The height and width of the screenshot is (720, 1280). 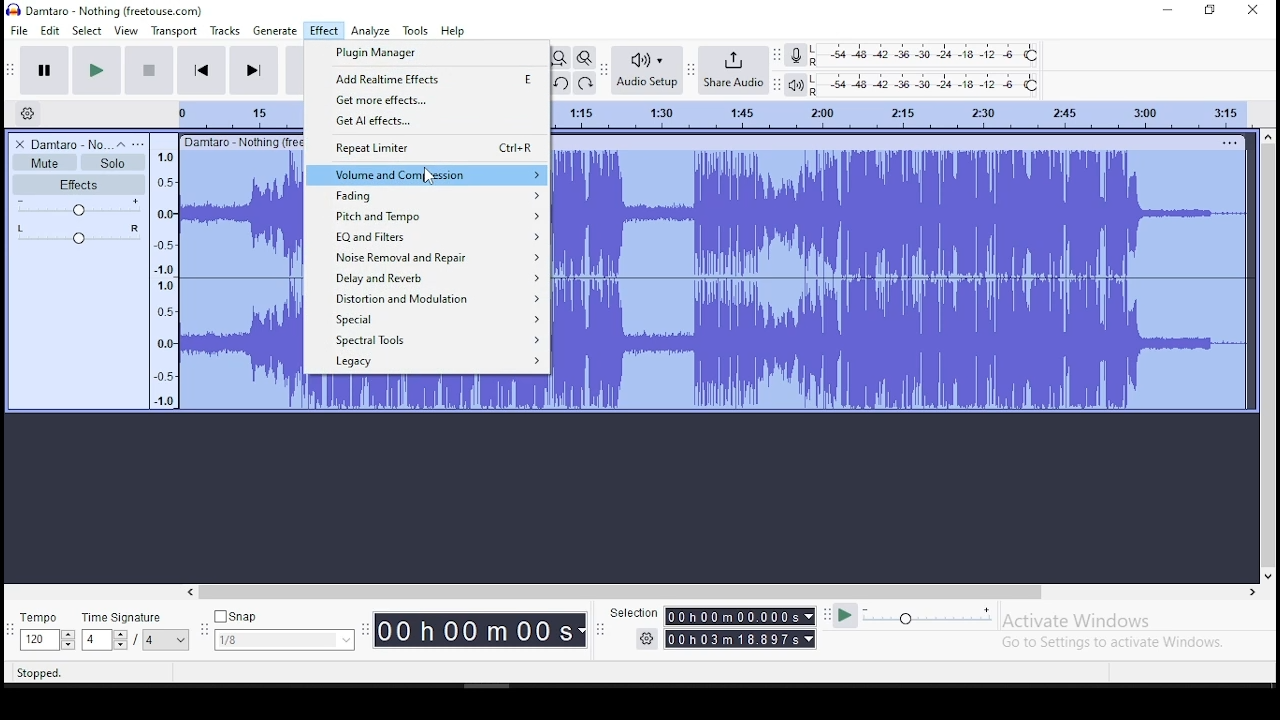 I want to click on pan, so click(x=78, y=233).